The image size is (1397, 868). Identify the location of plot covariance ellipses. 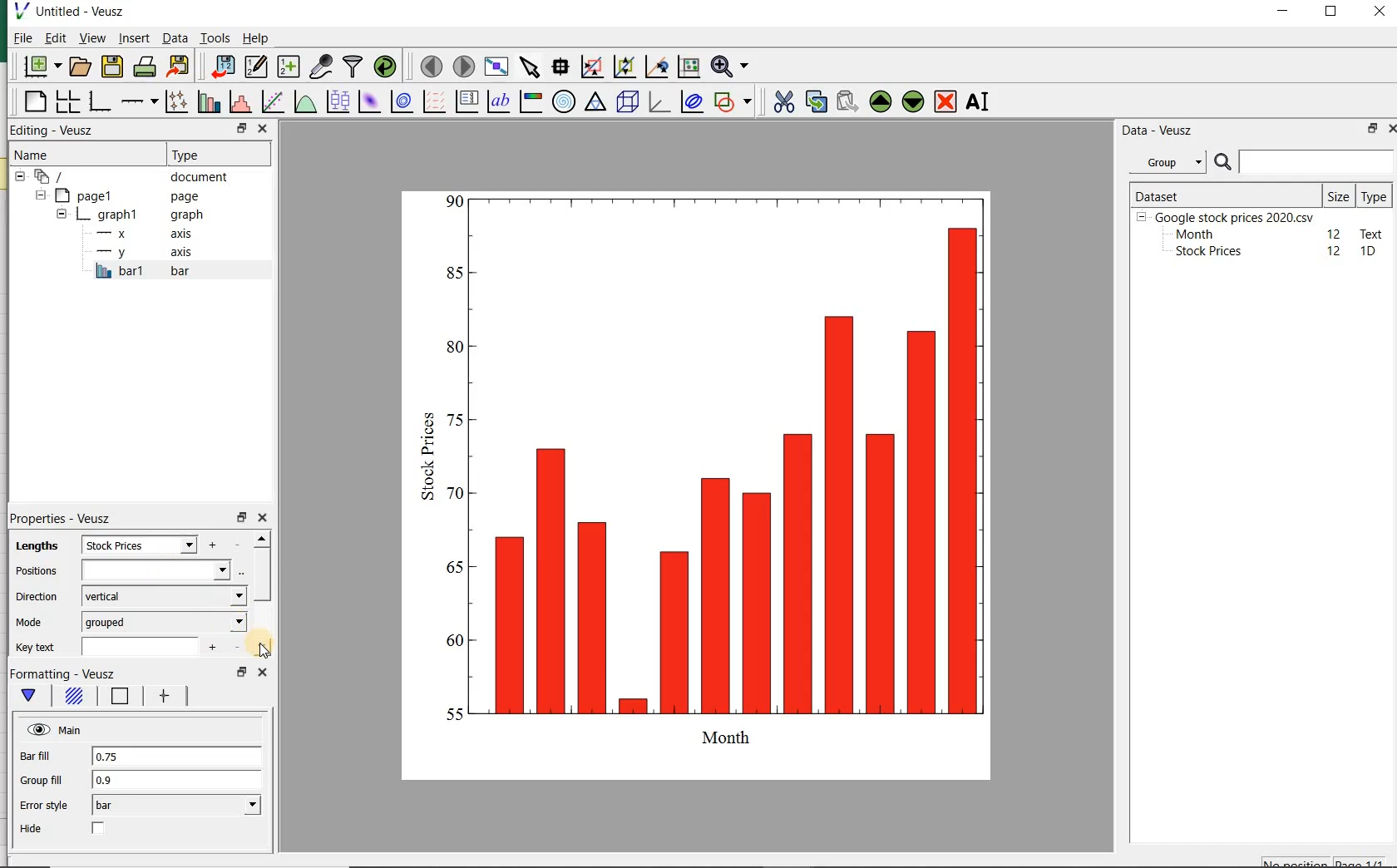
(692, 102).